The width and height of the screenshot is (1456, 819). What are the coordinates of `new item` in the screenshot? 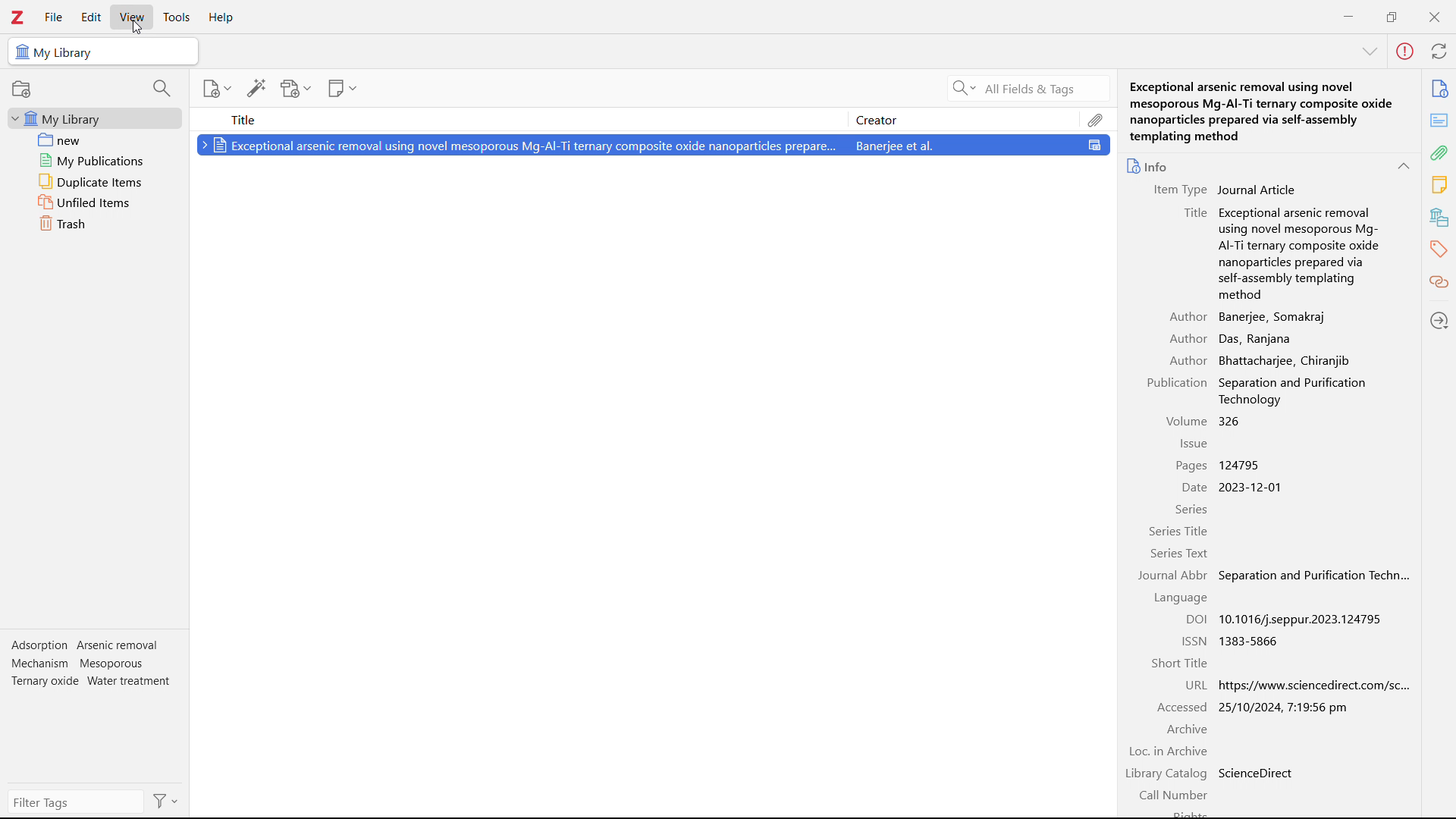 It's located at (215, 88).